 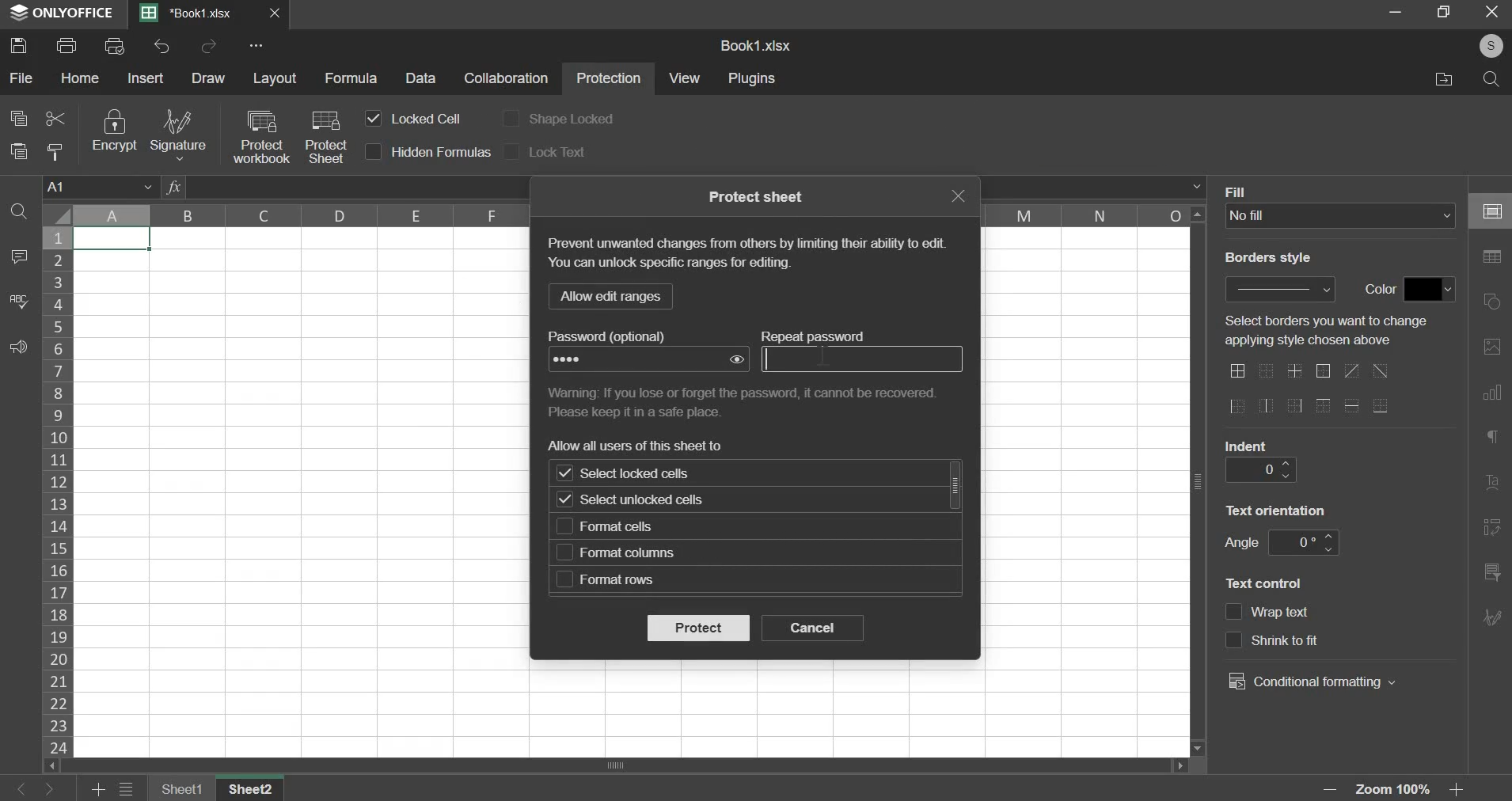 What do you see at coordinates (1492, 80) in the screenshot?
I see `Search` at bounding box center [1492, 80].